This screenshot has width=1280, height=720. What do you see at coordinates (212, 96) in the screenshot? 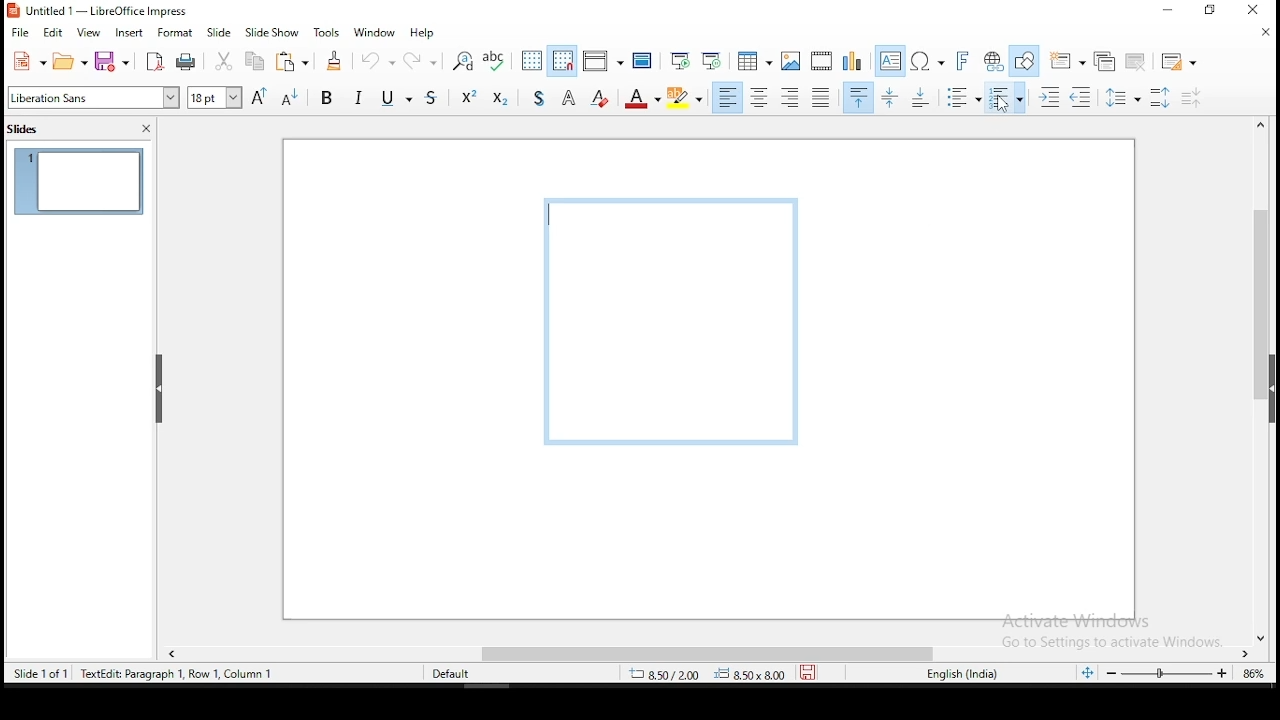
I see `font size` at bounding box center [212, 96].